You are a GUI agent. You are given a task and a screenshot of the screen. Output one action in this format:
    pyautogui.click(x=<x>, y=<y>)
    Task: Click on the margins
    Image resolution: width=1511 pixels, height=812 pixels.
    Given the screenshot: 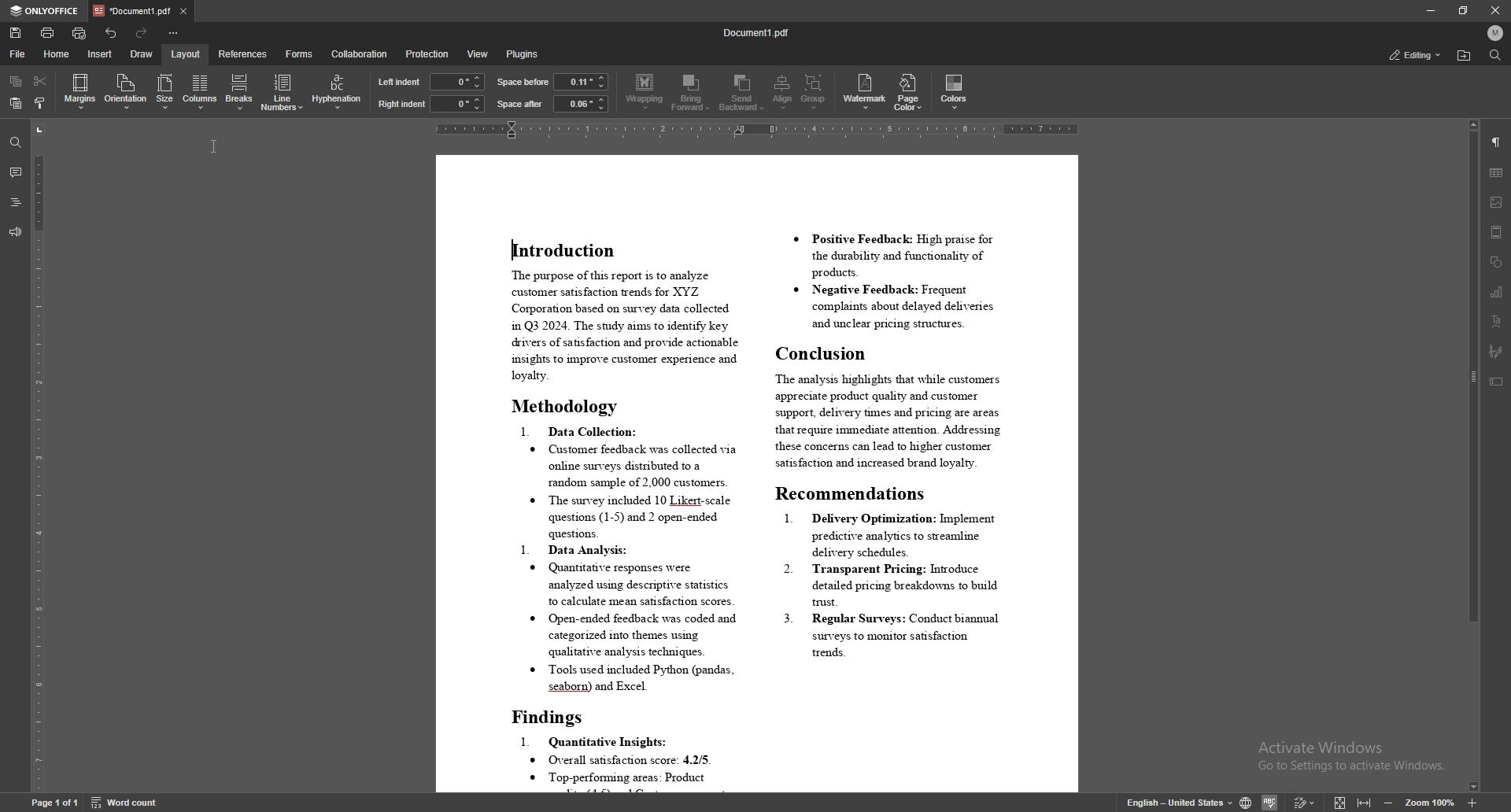 What is the action you would take?
    pyautogui.click(x=80, y=92)
    